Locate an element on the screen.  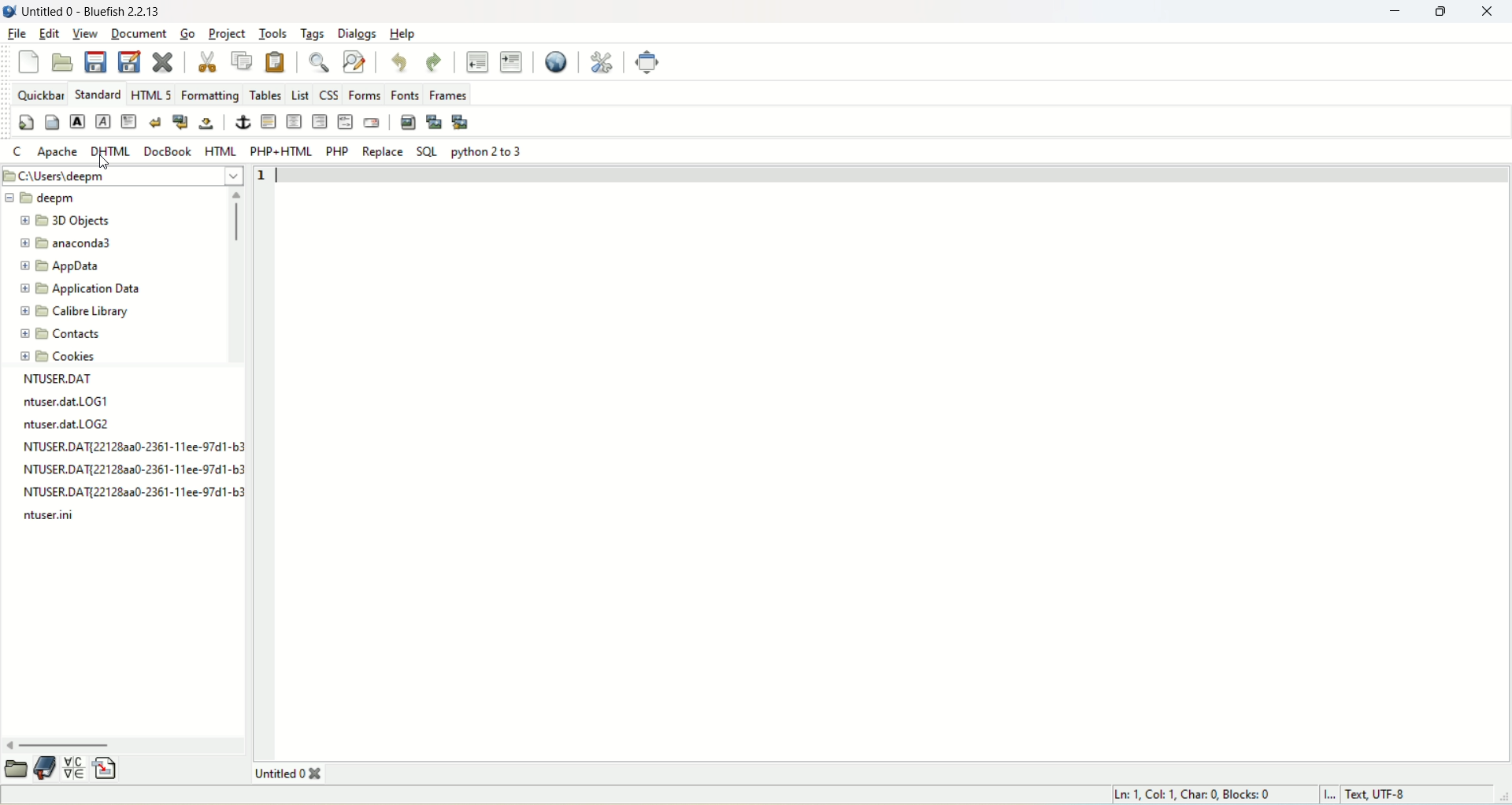
tables is located at coordinates (266, 93).